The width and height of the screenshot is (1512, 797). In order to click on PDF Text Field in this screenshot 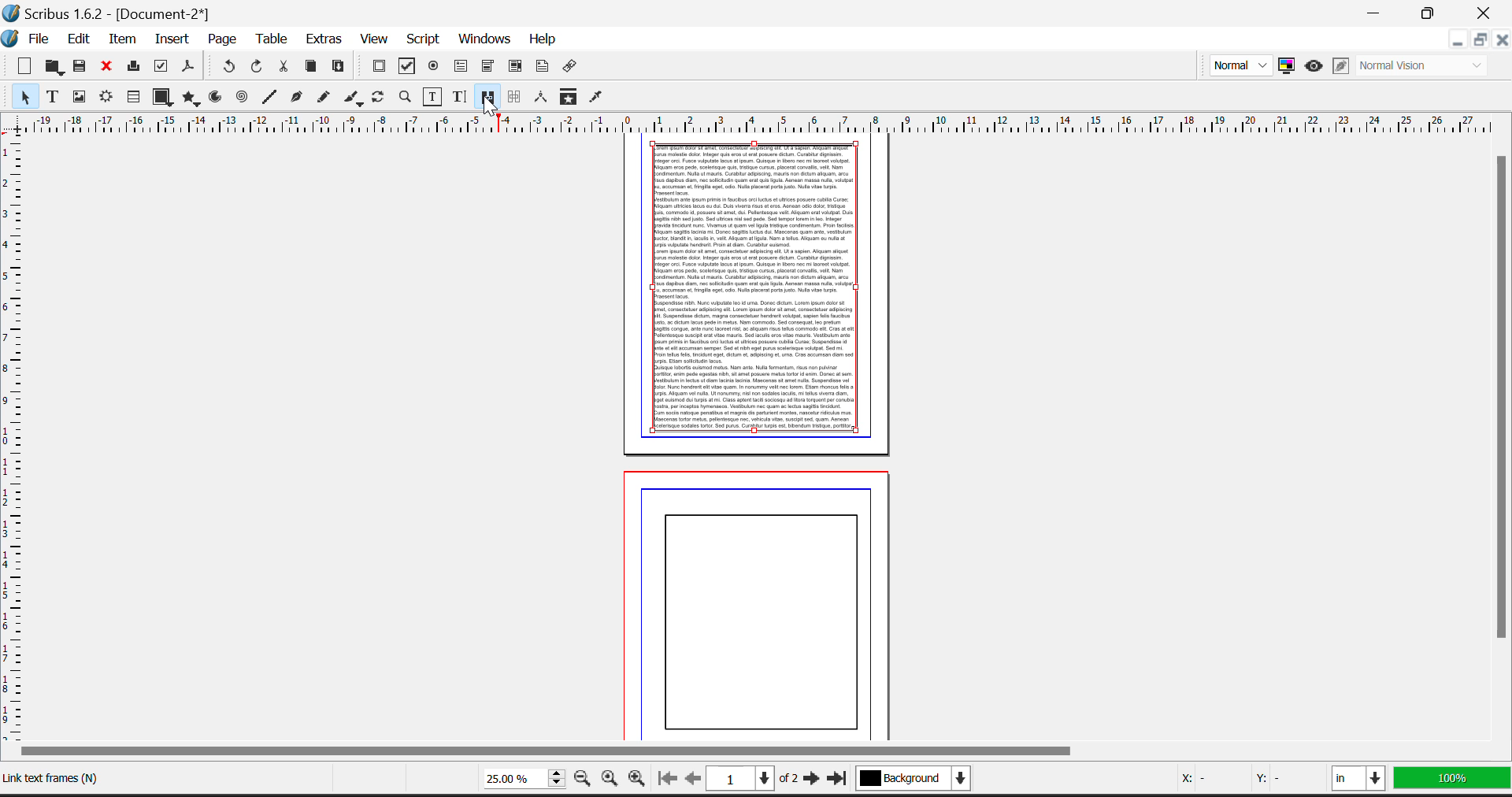, I will do `click(462, 67)`.